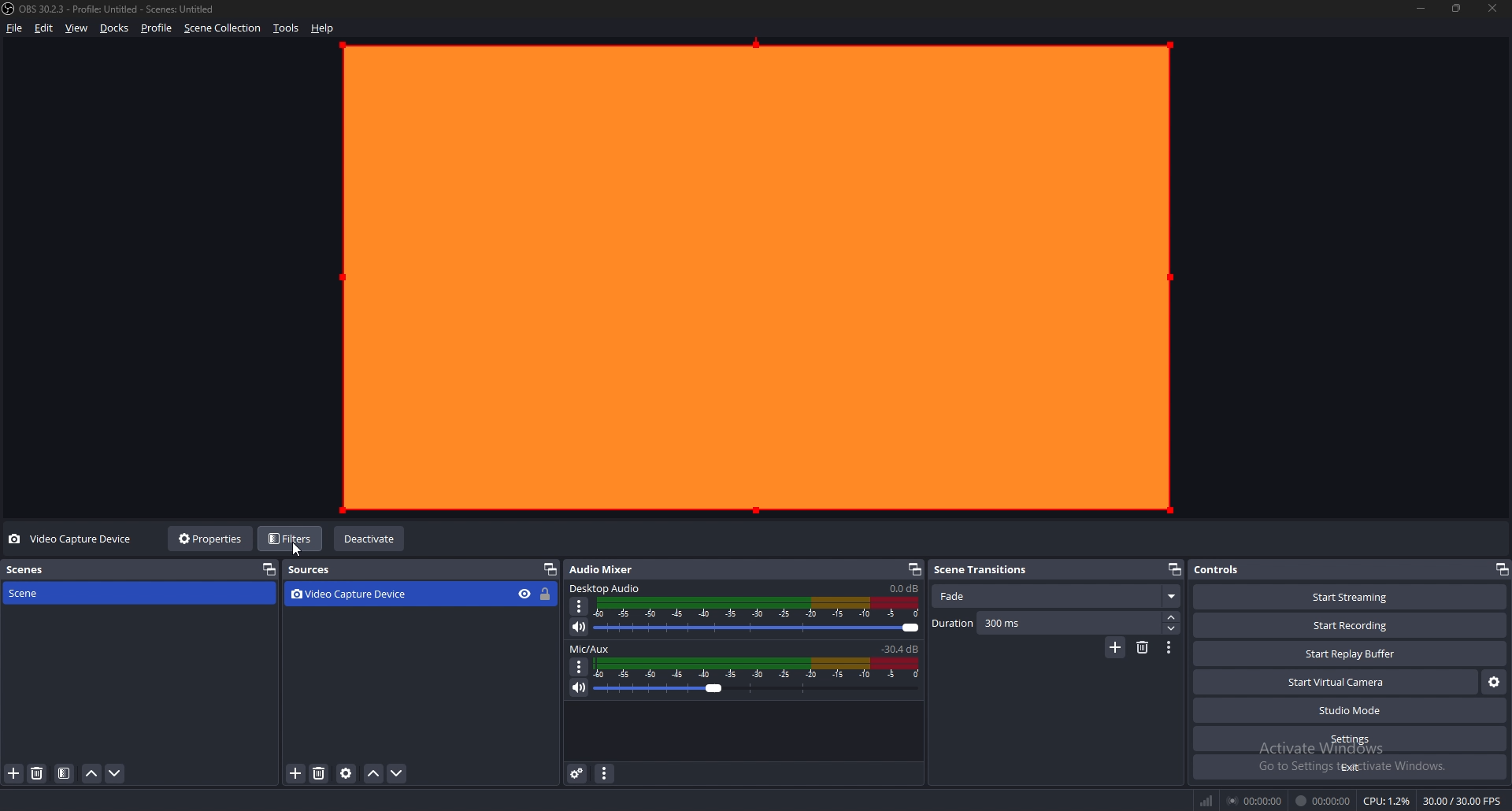  I want to click on view, so click(77, 28).